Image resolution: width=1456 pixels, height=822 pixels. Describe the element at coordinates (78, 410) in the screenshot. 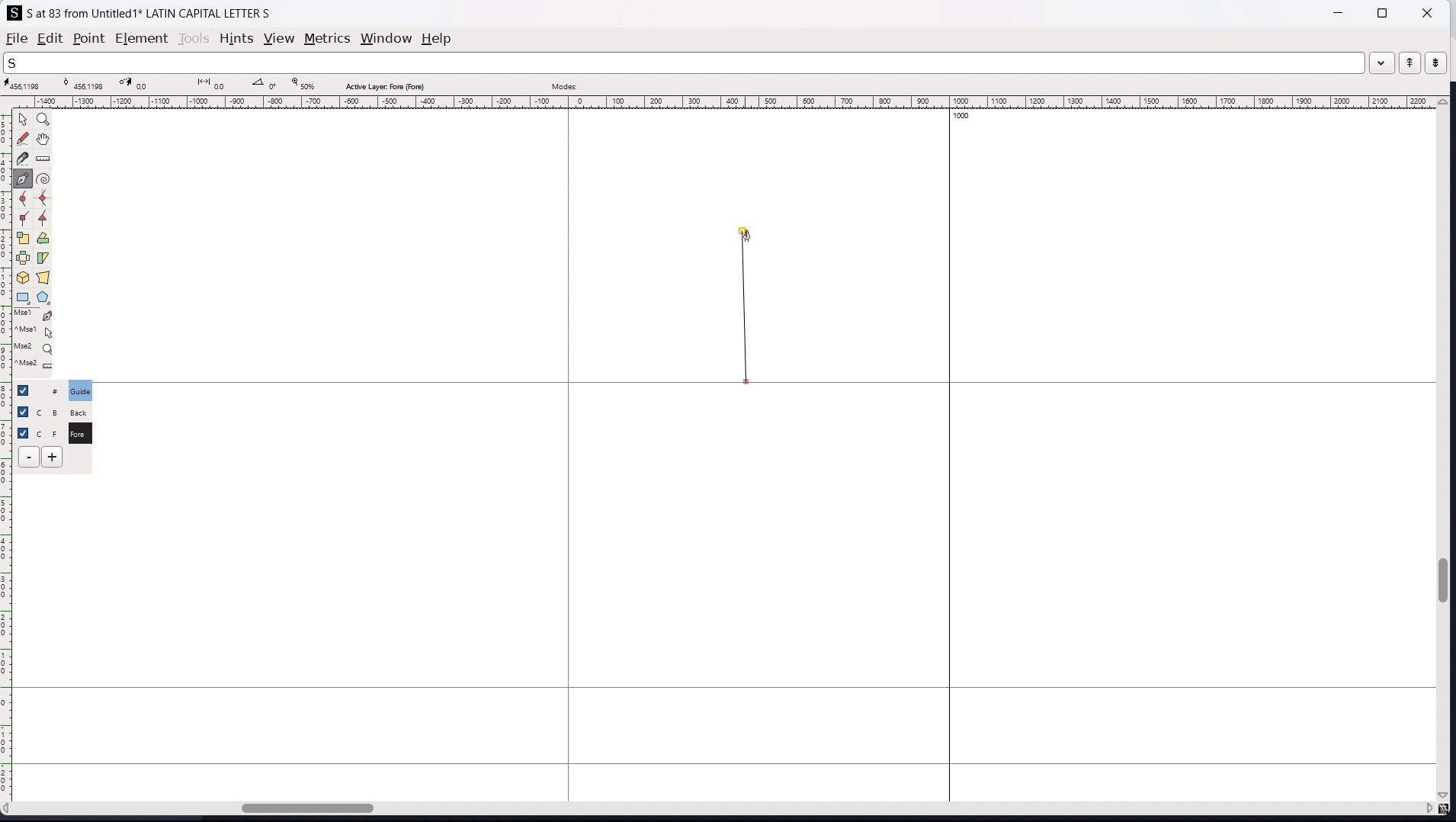

I see `C B Back` at that location.